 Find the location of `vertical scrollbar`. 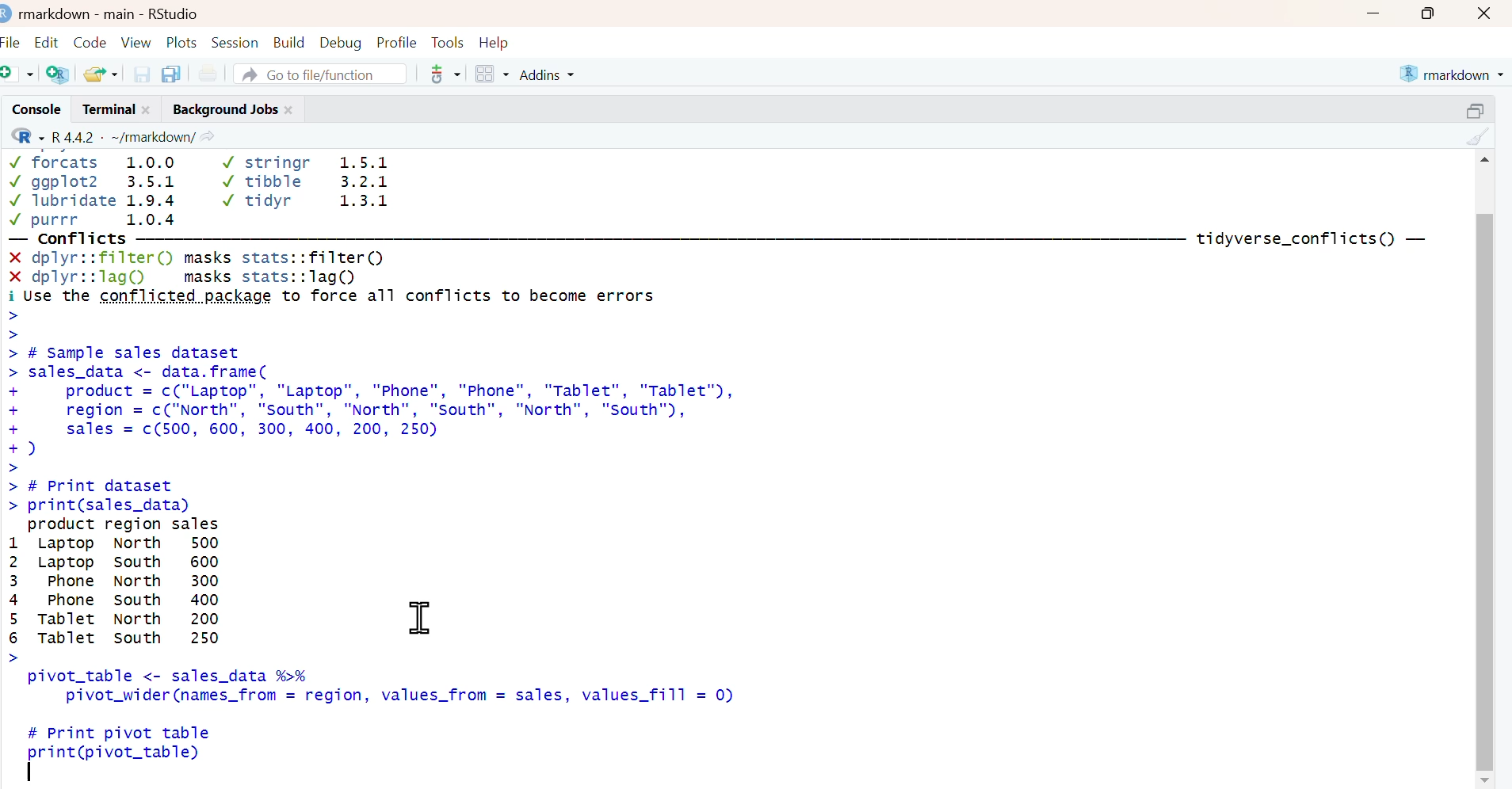

vertical scrollbar is located at coordinates (1484, 491).